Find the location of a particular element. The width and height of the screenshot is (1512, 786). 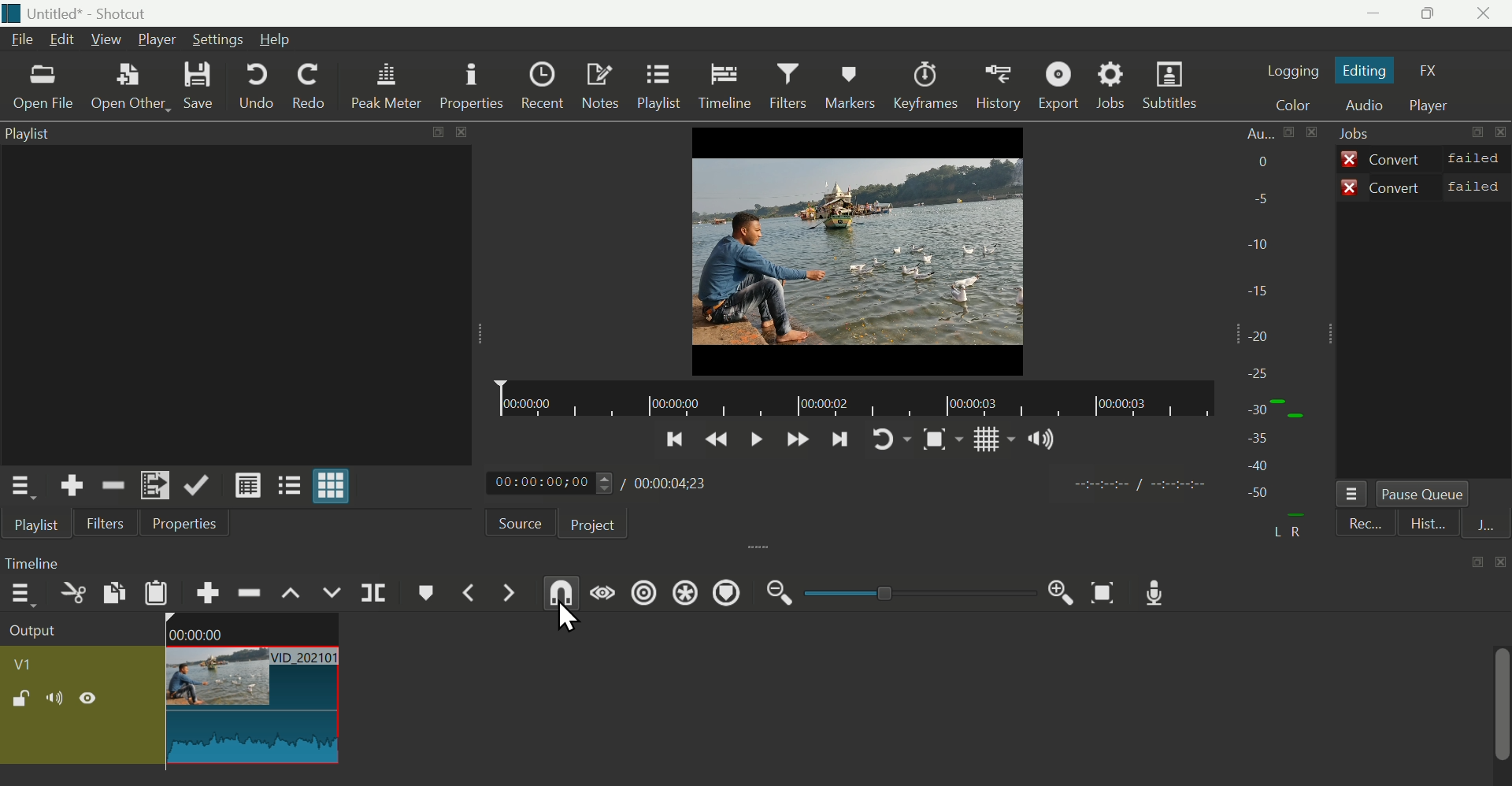

Playlist Menu is located at coordinates (27, 489).